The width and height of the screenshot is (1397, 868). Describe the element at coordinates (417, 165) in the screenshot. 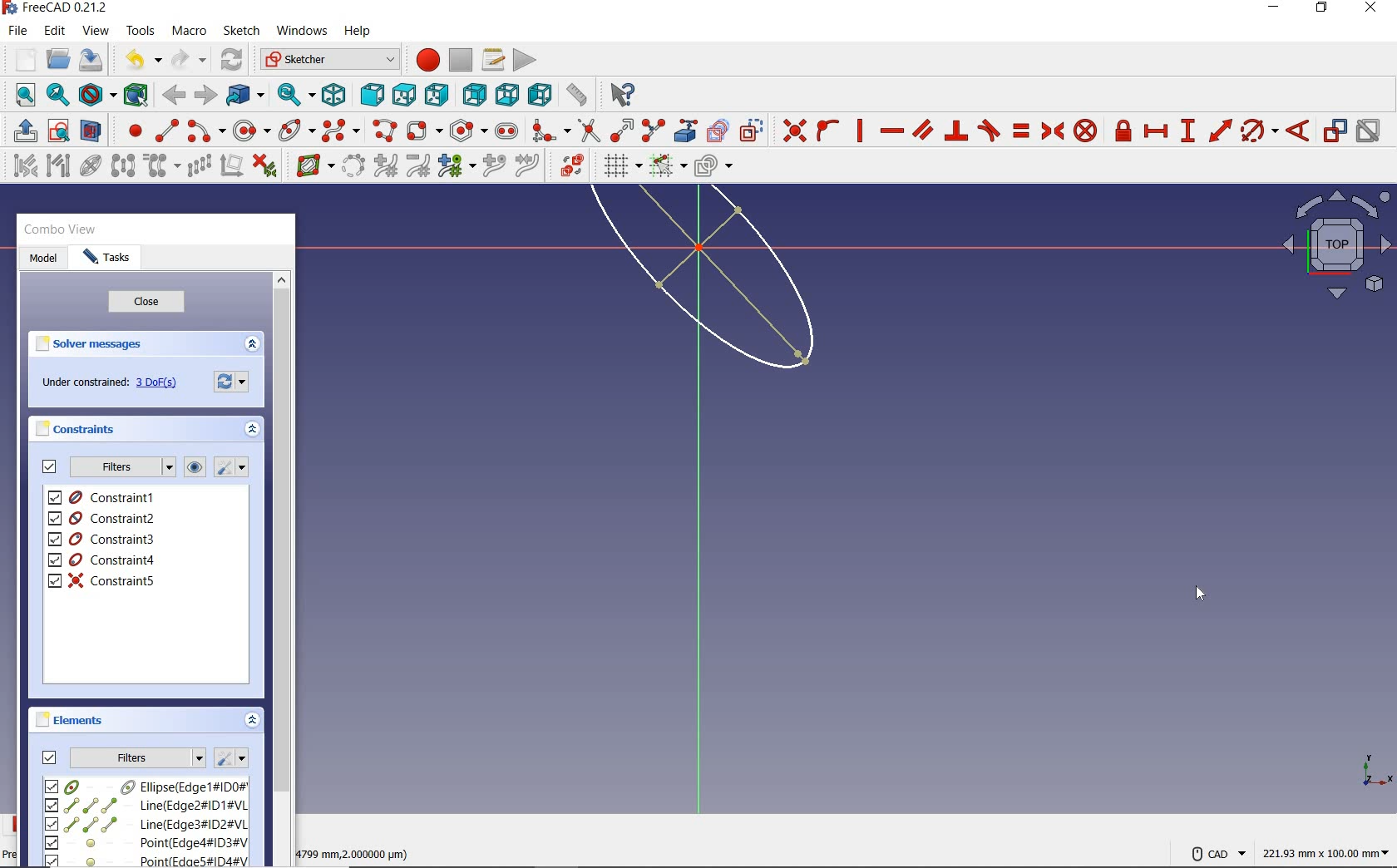

I see `decrease B-Spline degree` at that location.